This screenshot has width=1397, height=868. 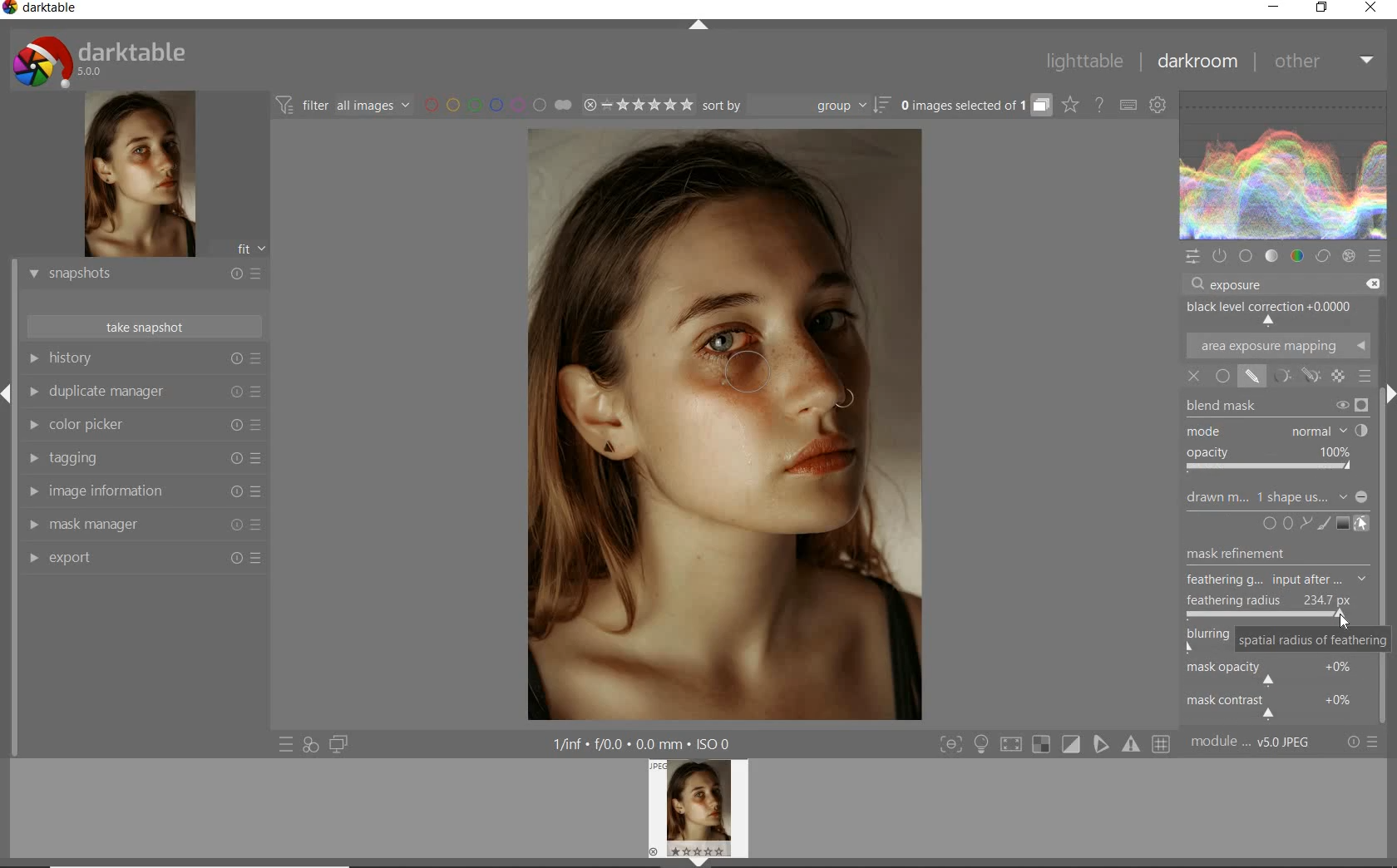 I want to click on ADD GRADIENT, so click(x=1341, y=524).